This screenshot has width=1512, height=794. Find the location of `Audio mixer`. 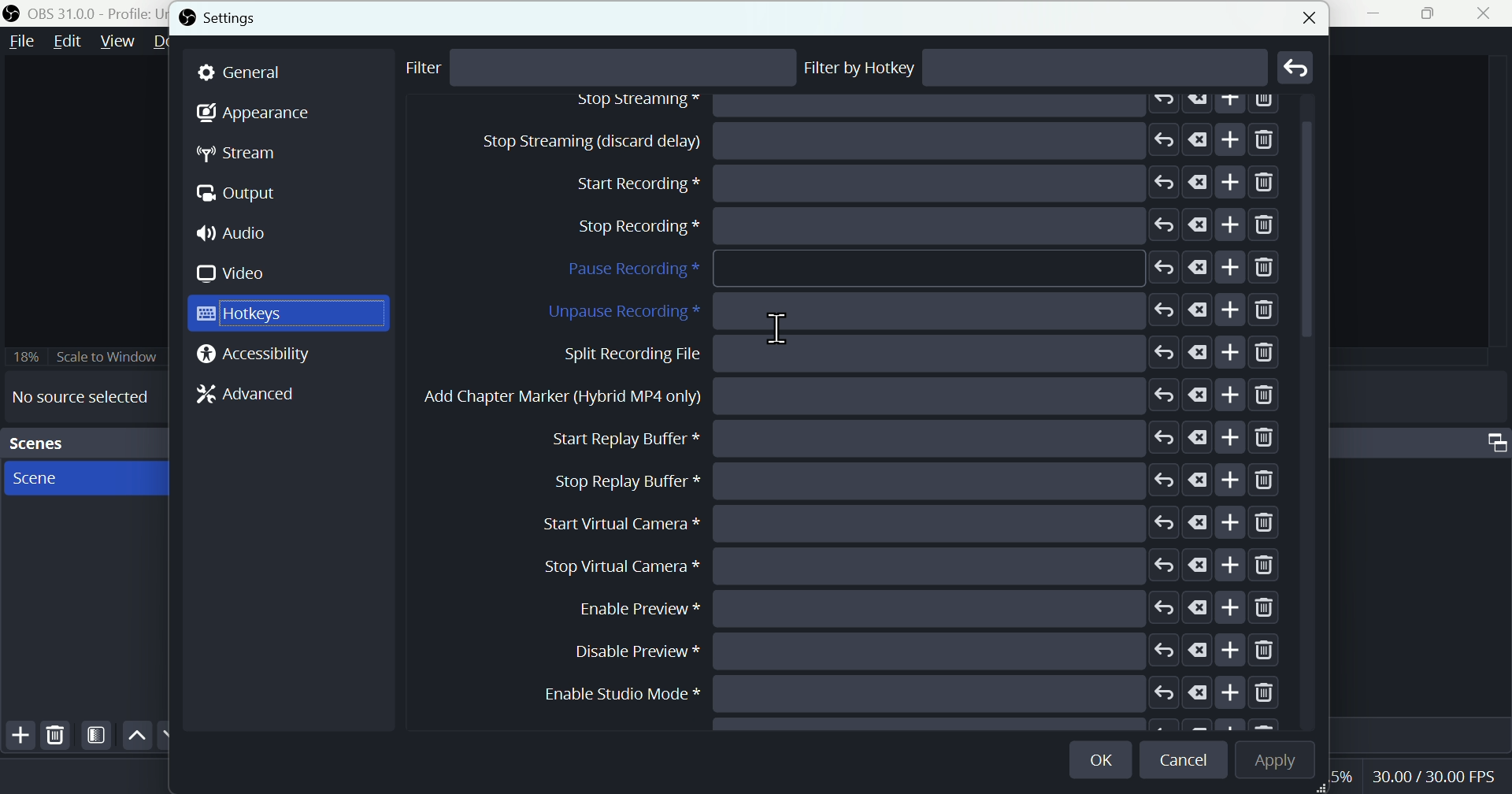

Audio mixer is located at coordinates (1493, 439).